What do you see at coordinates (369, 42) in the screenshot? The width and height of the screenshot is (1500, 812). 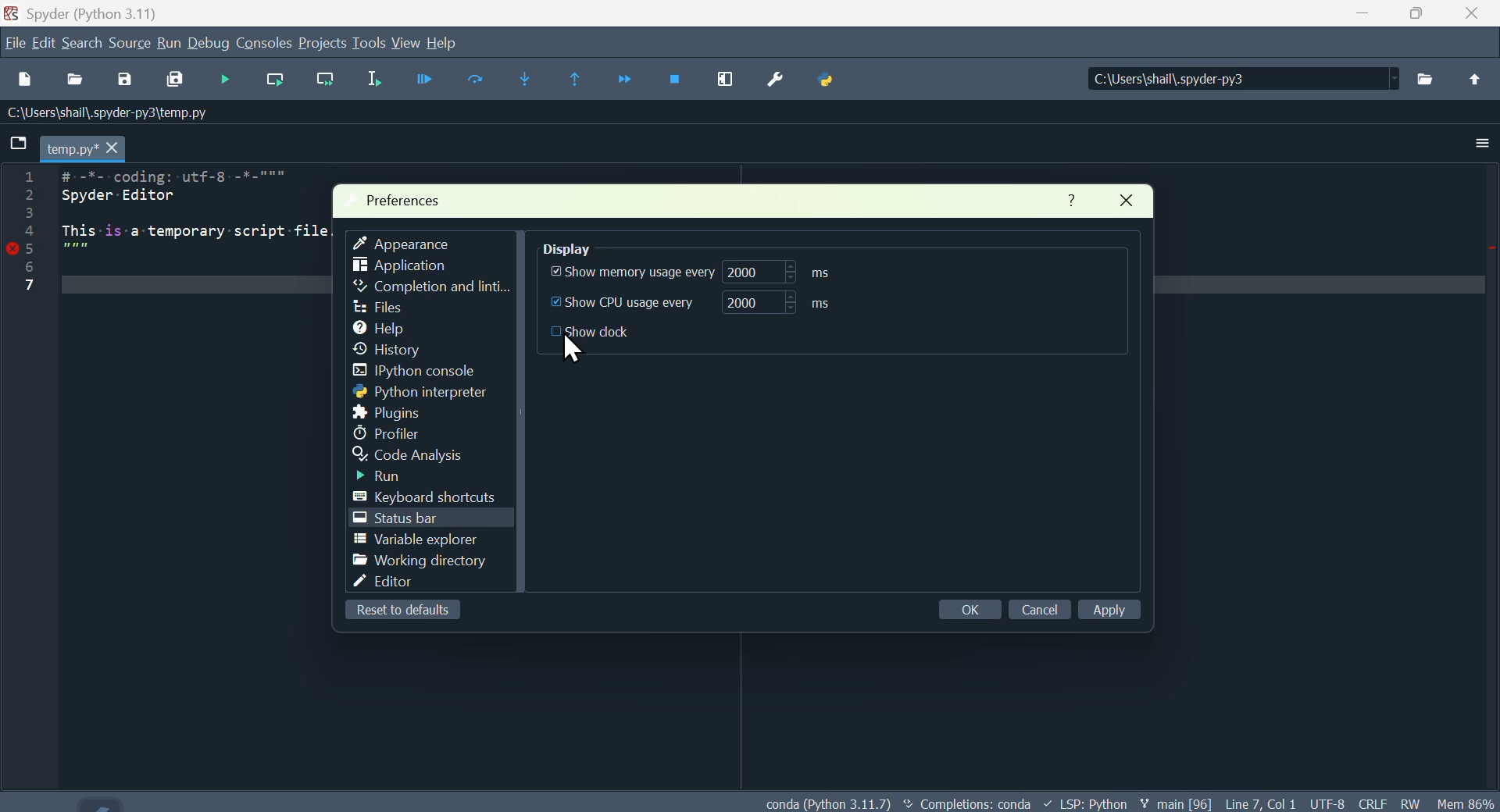 I see `Tools` at bounding box center [369, 42].